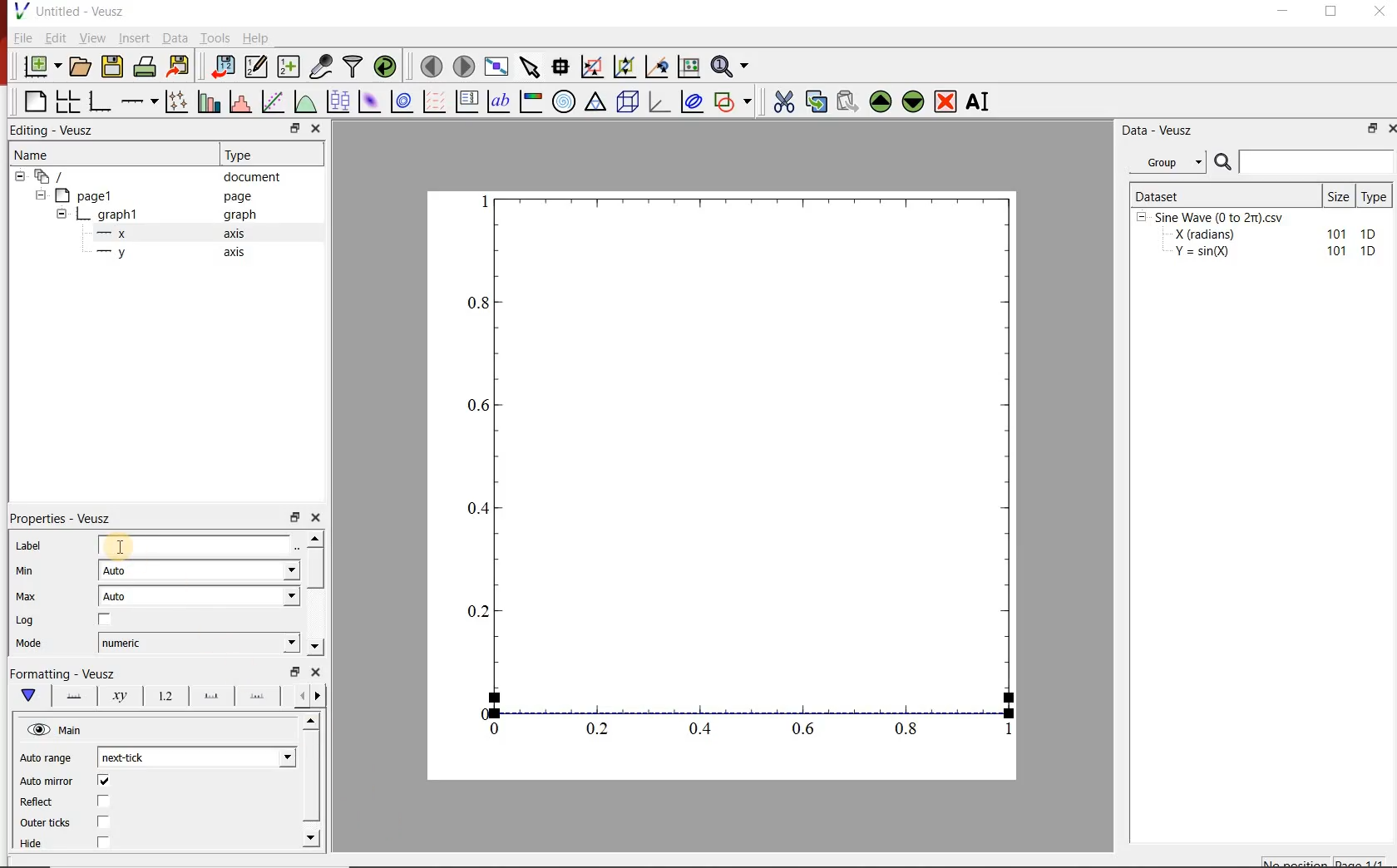  I want to click on Auto range, so click(47, 756).